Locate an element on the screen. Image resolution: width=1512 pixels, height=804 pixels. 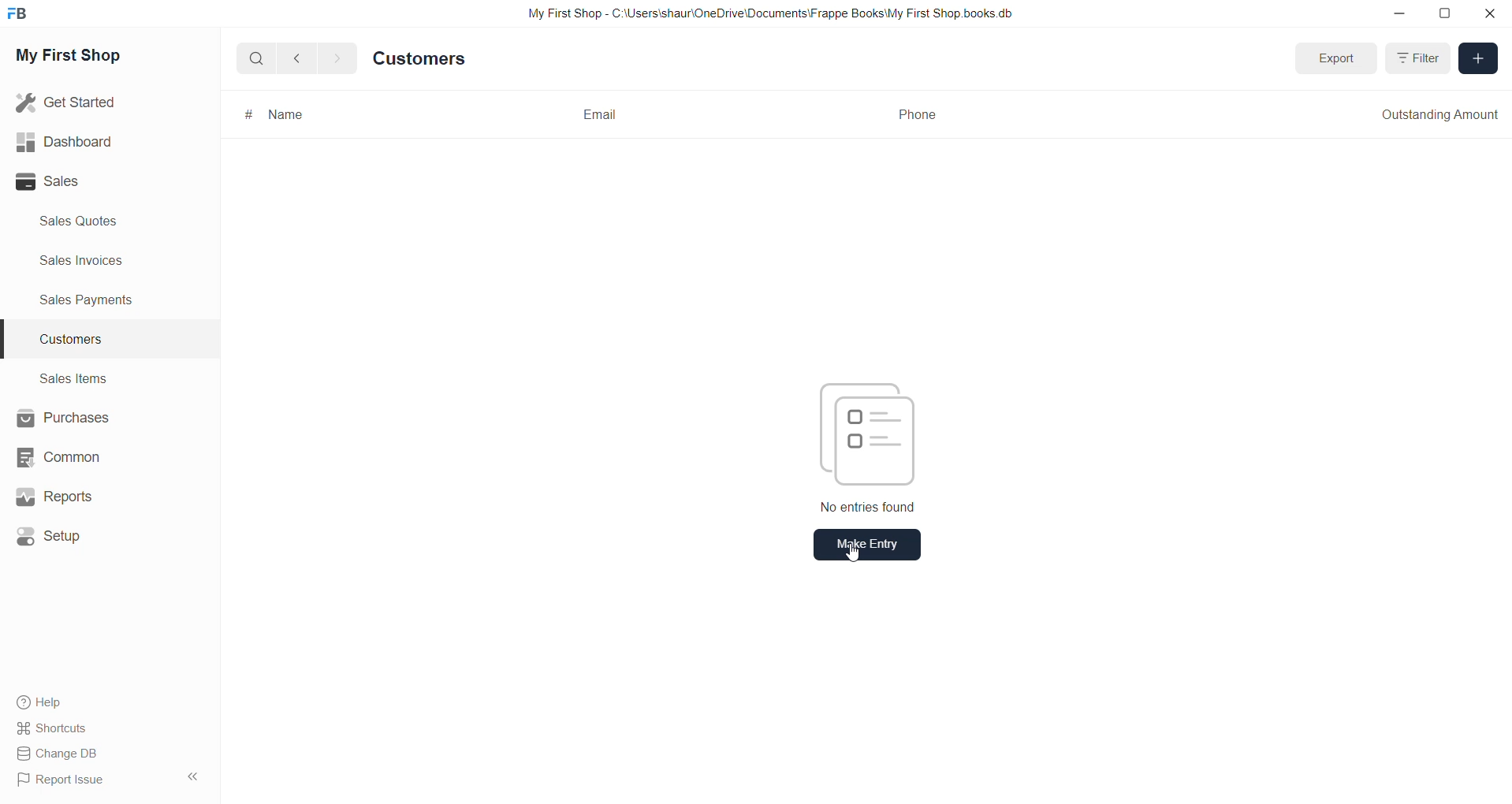
Purchases is located at coordinates (64, 418).